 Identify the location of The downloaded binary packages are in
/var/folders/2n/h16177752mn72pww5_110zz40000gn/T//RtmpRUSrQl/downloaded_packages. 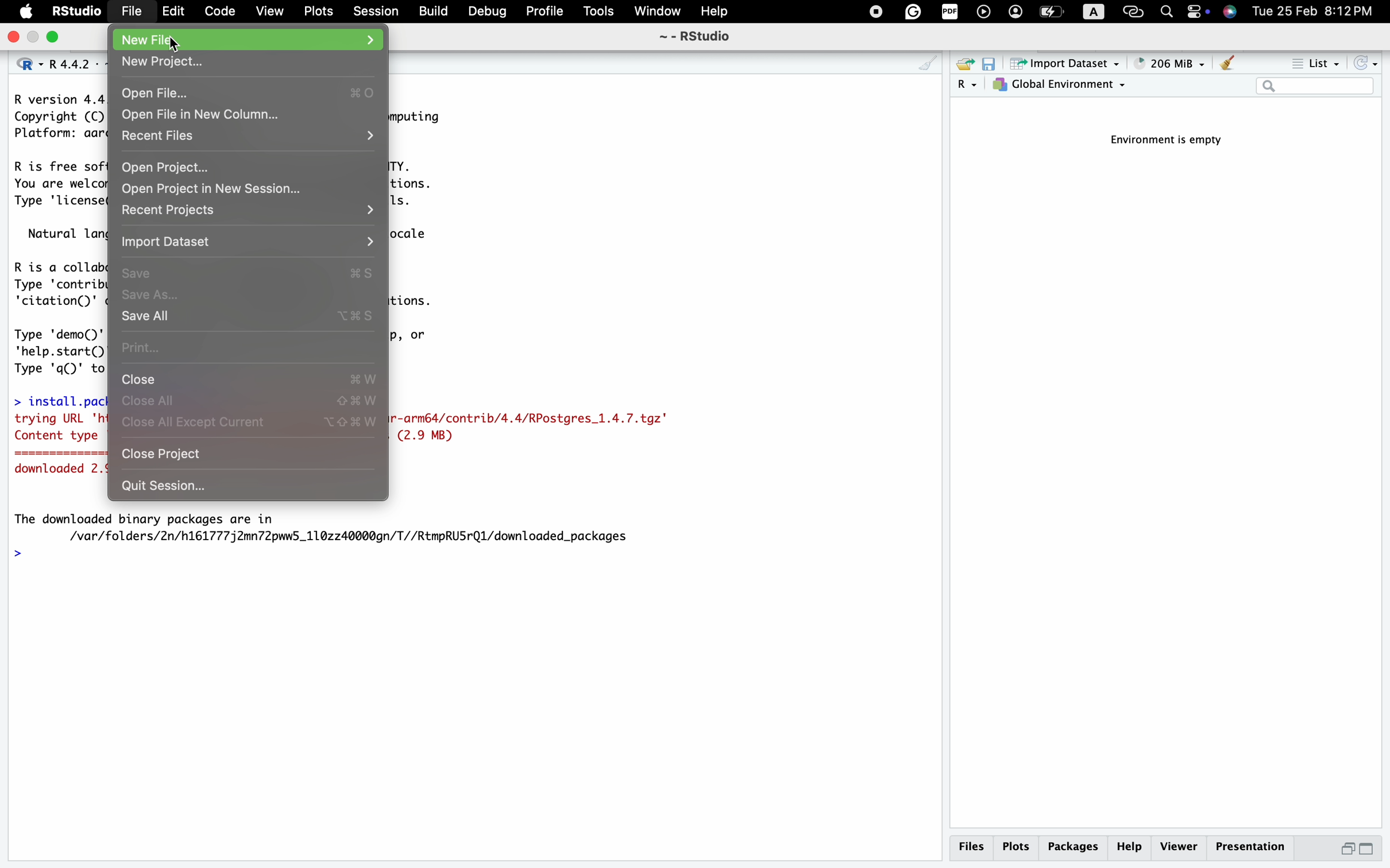
(331, 527).